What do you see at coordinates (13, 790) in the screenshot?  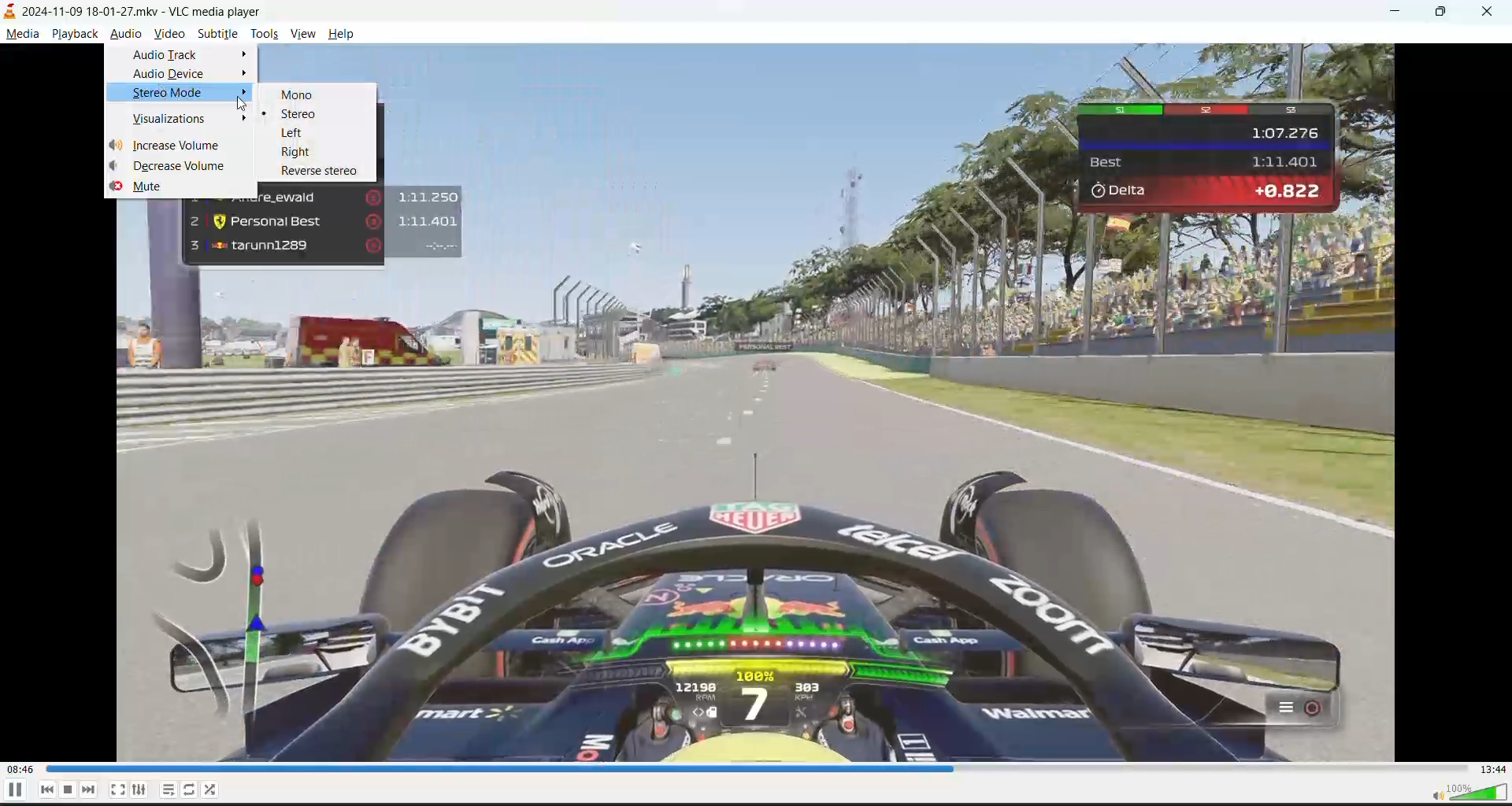 I see `pause` at bounding box center [13, 790].